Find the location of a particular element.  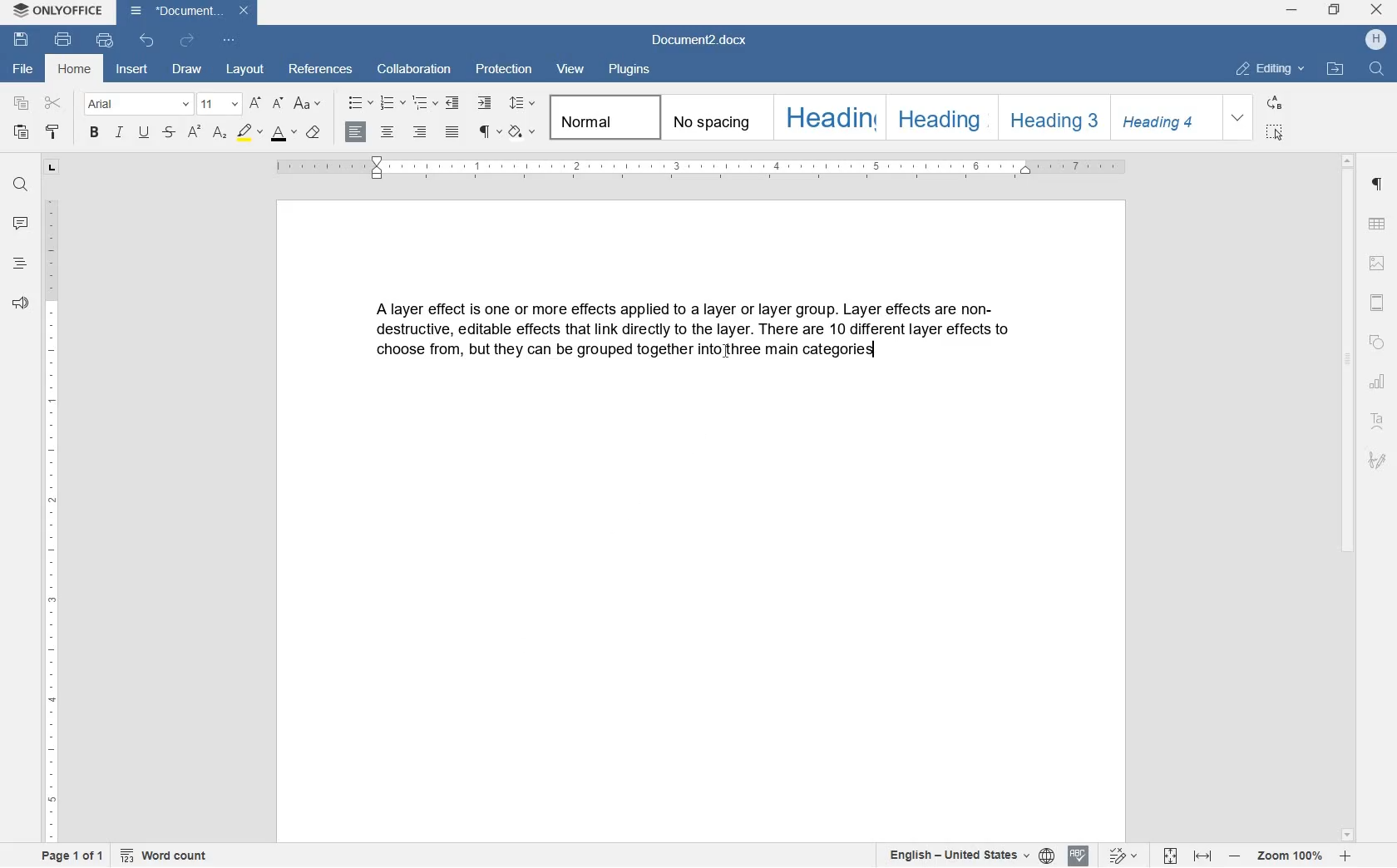

shape is located at coordinates (1380, 343).